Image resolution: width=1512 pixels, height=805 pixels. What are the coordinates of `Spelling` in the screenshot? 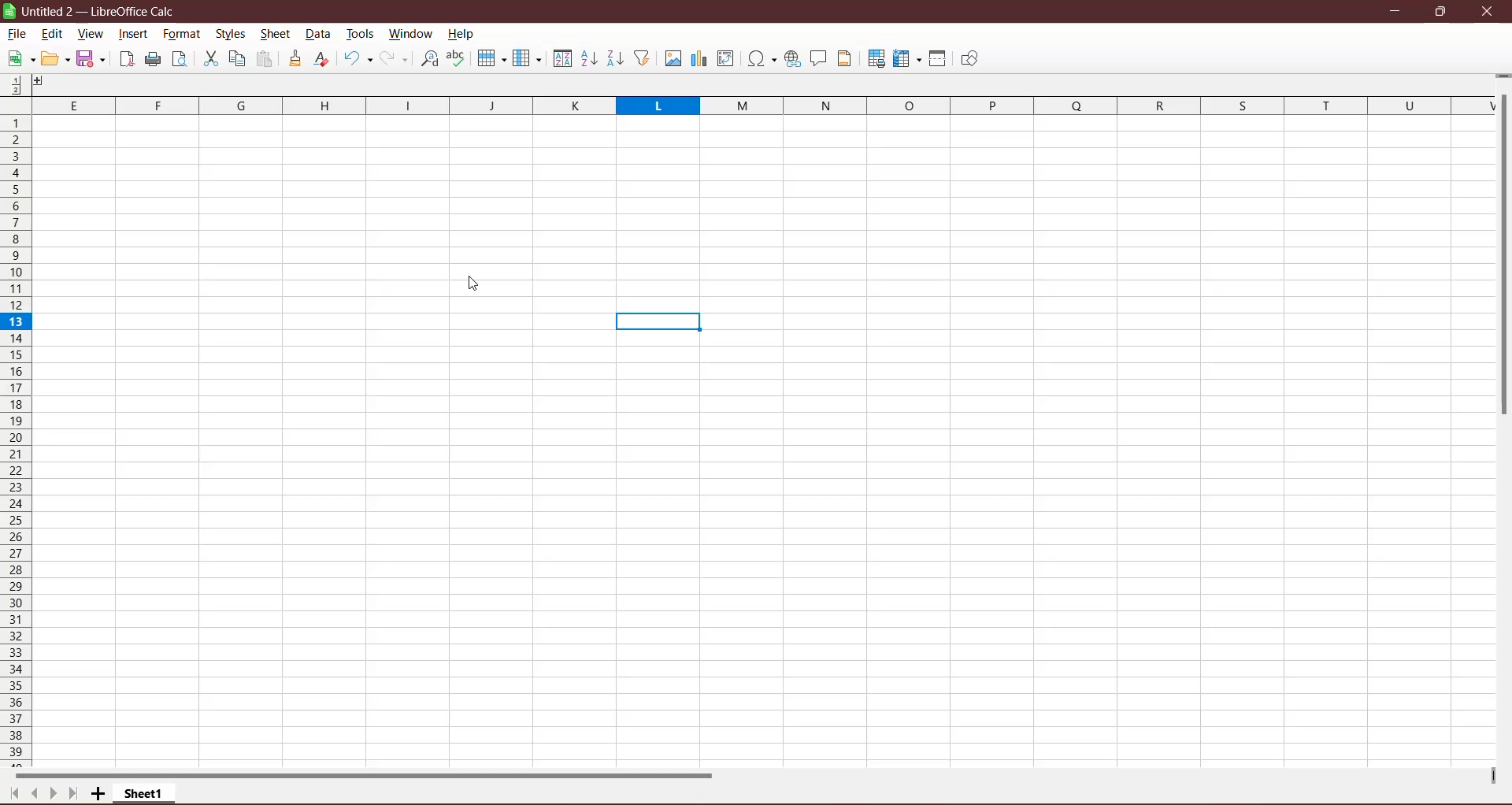 It's located at (458, 58).